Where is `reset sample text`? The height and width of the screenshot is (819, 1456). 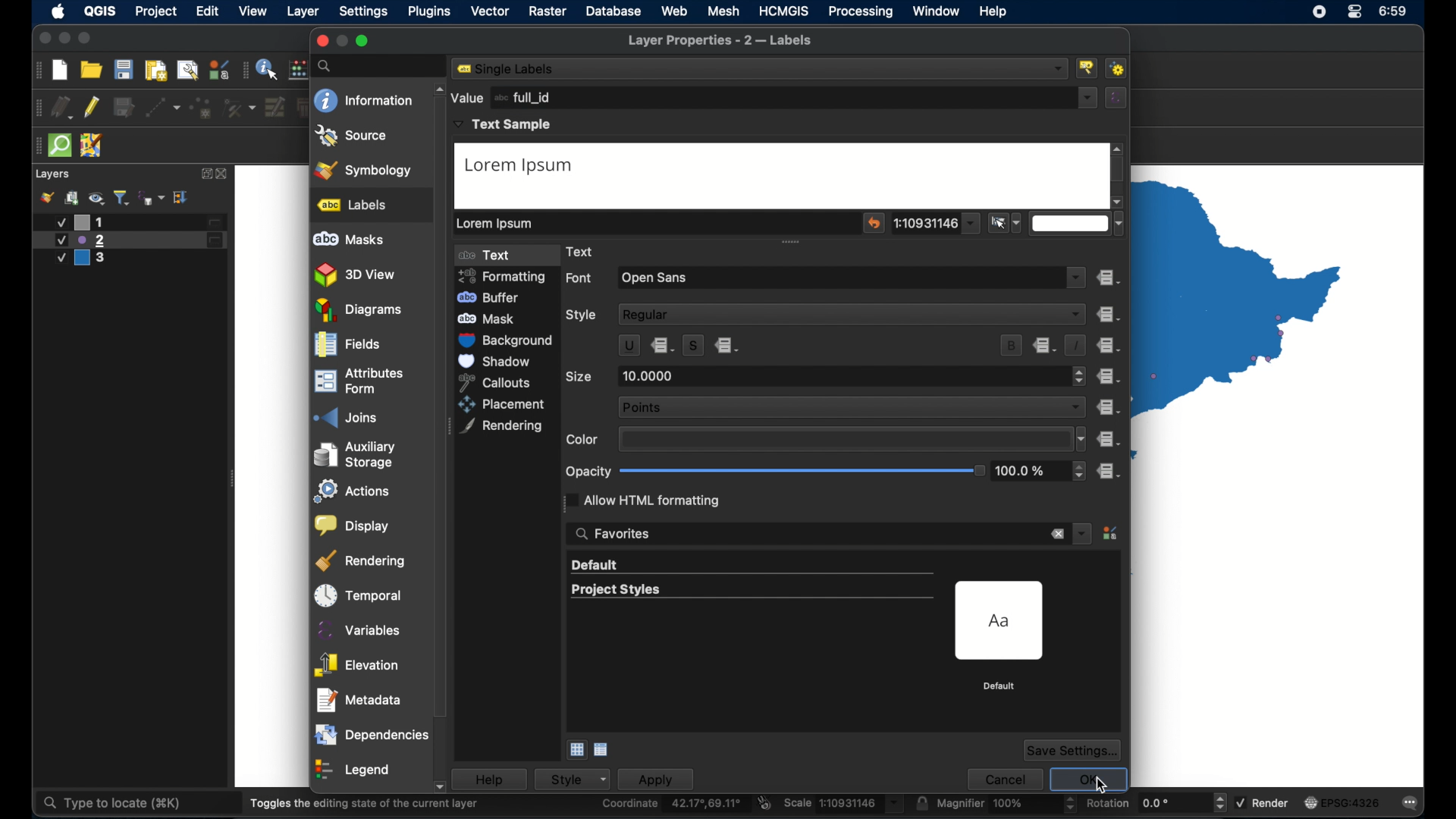
reset sample text is located at coordinates (874, 223).